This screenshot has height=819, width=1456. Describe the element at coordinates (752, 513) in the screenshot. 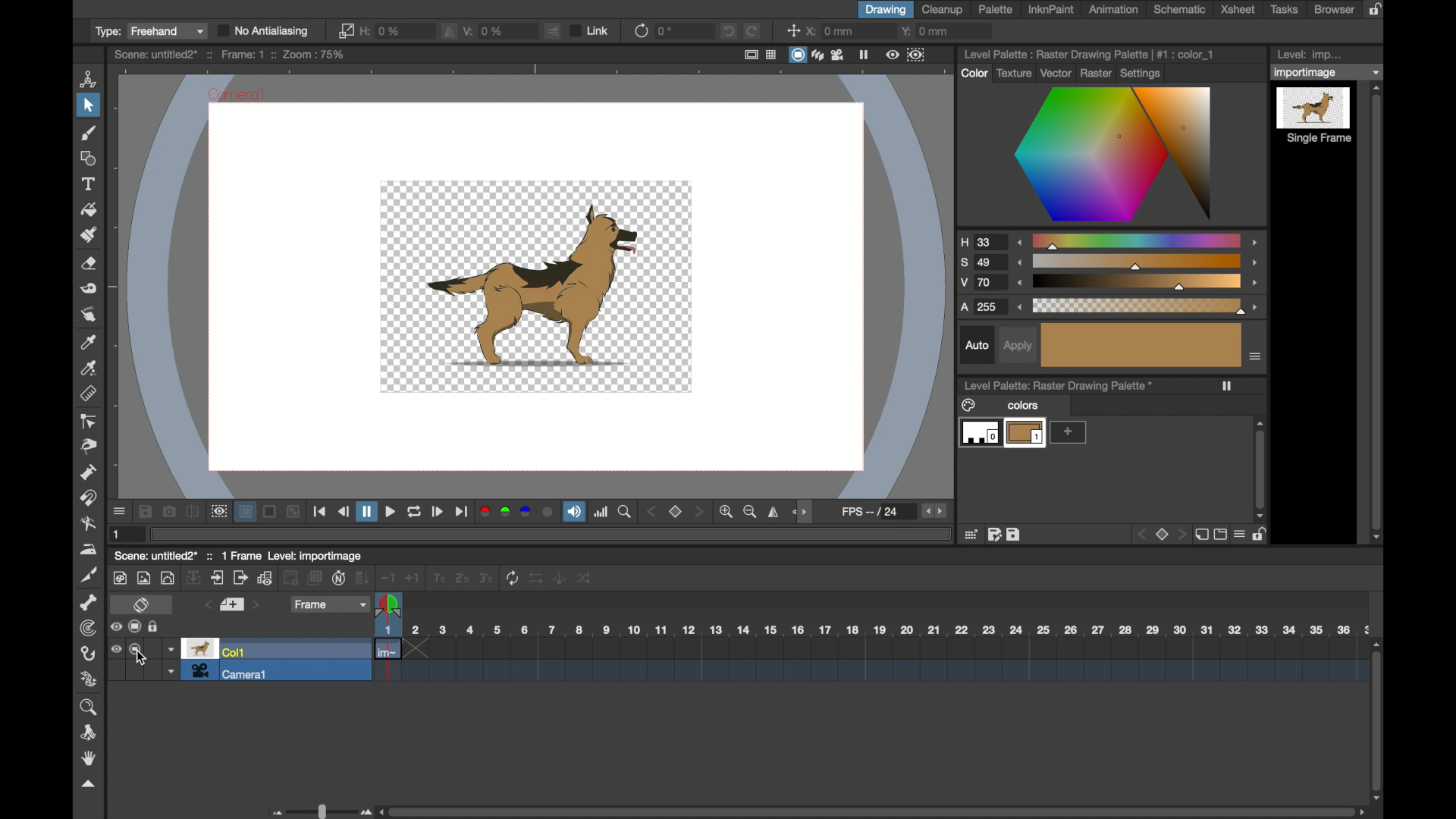

I see `zoom out` at that location.